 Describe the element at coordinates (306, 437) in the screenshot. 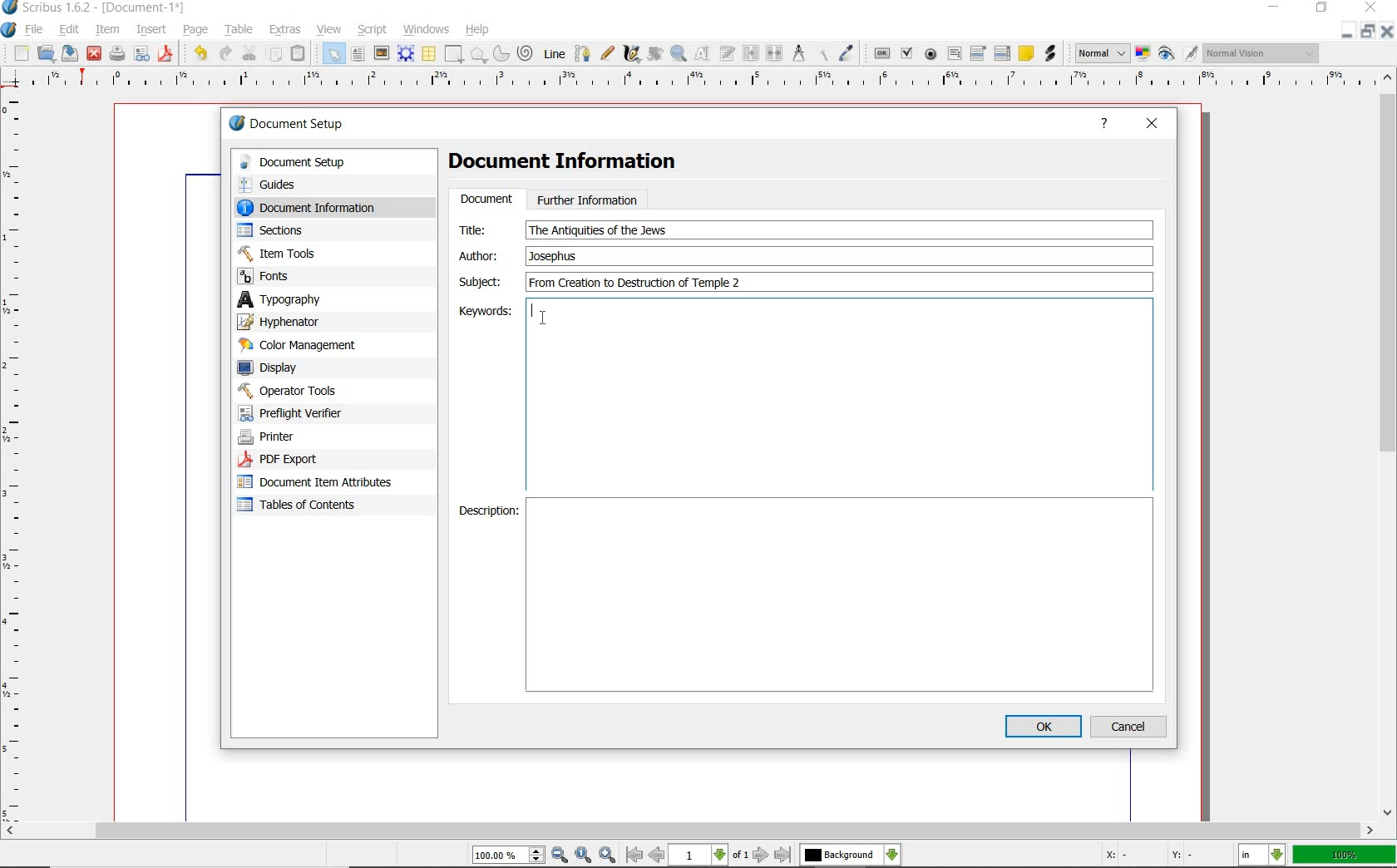

I see `printer` at that location.